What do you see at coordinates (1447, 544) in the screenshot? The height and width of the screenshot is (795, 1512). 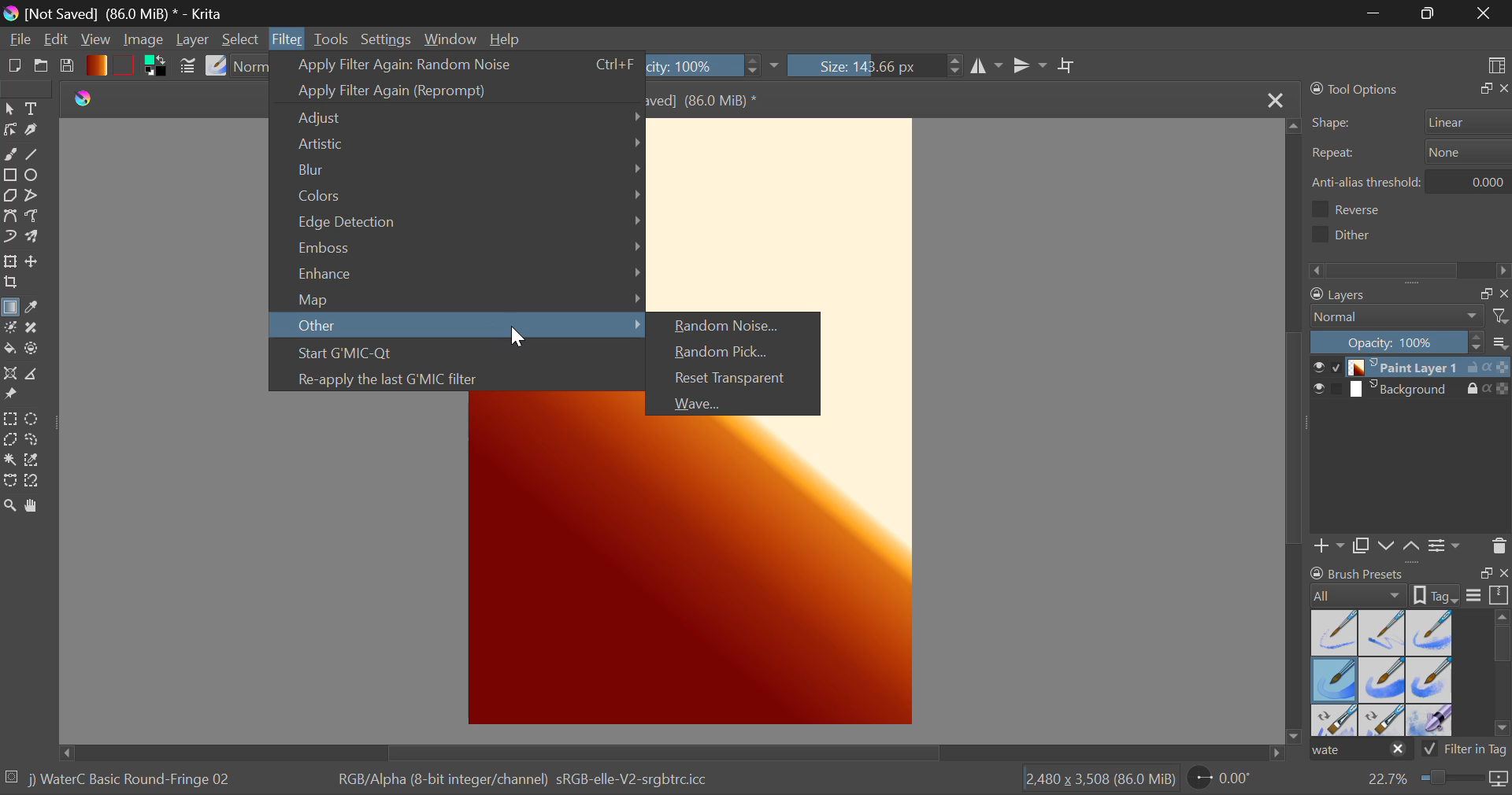 I see `settings` at bounding box center [1447, 544].